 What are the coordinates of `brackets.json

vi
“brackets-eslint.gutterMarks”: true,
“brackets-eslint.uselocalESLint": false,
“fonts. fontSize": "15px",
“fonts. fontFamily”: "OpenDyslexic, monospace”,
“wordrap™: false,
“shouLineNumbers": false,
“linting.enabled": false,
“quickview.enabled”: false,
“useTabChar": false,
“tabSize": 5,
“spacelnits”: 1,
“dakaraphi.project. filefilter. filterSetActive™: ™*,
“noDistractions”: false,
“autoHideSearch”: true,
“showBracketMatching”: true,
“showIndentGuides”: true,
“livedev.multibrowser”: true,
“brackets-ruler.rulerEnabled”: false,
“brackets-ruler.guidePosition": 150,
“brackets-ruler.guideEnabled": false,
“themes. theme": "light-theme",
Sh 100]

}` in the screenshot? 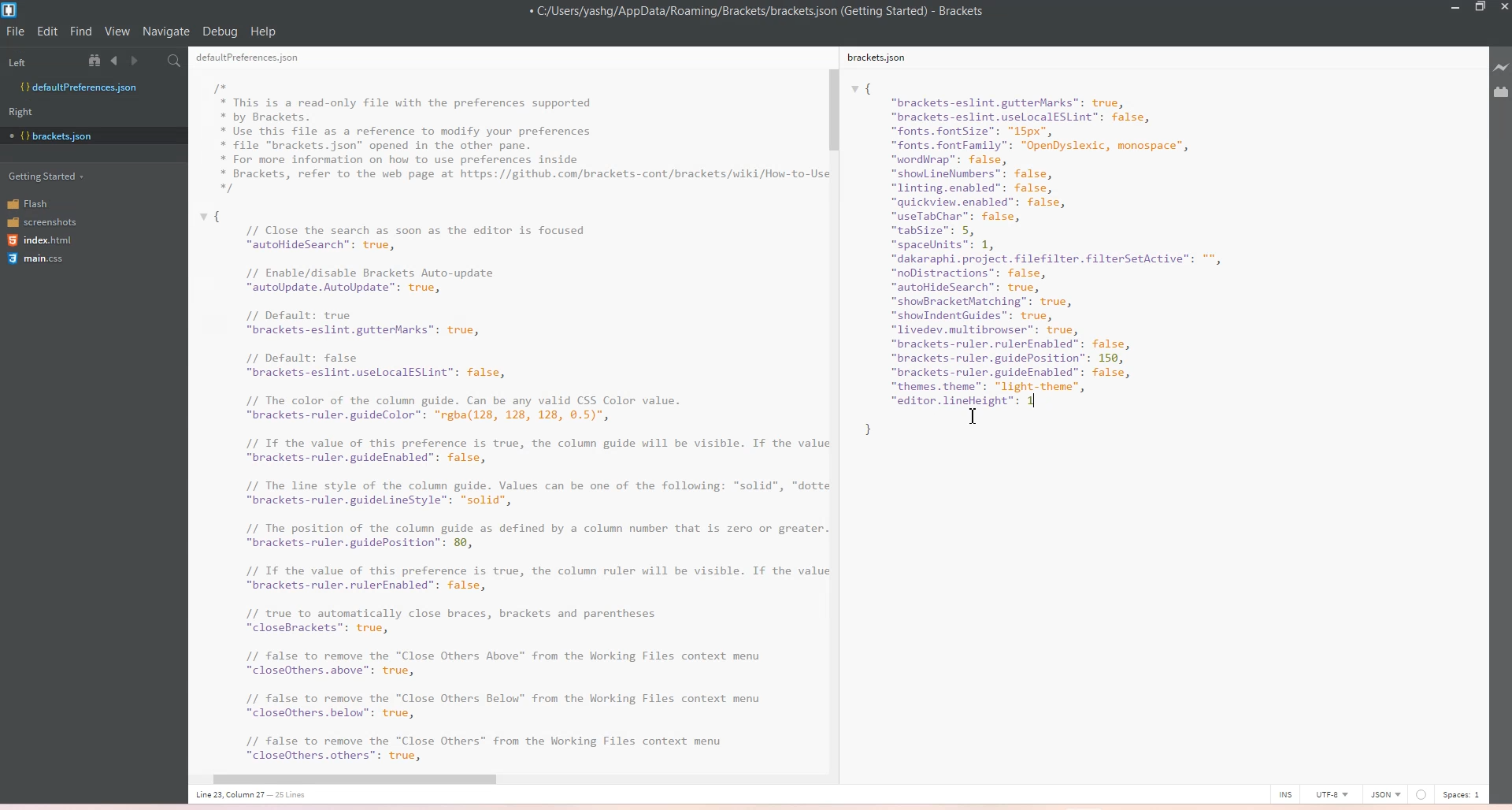 It's located at (1068, 260).